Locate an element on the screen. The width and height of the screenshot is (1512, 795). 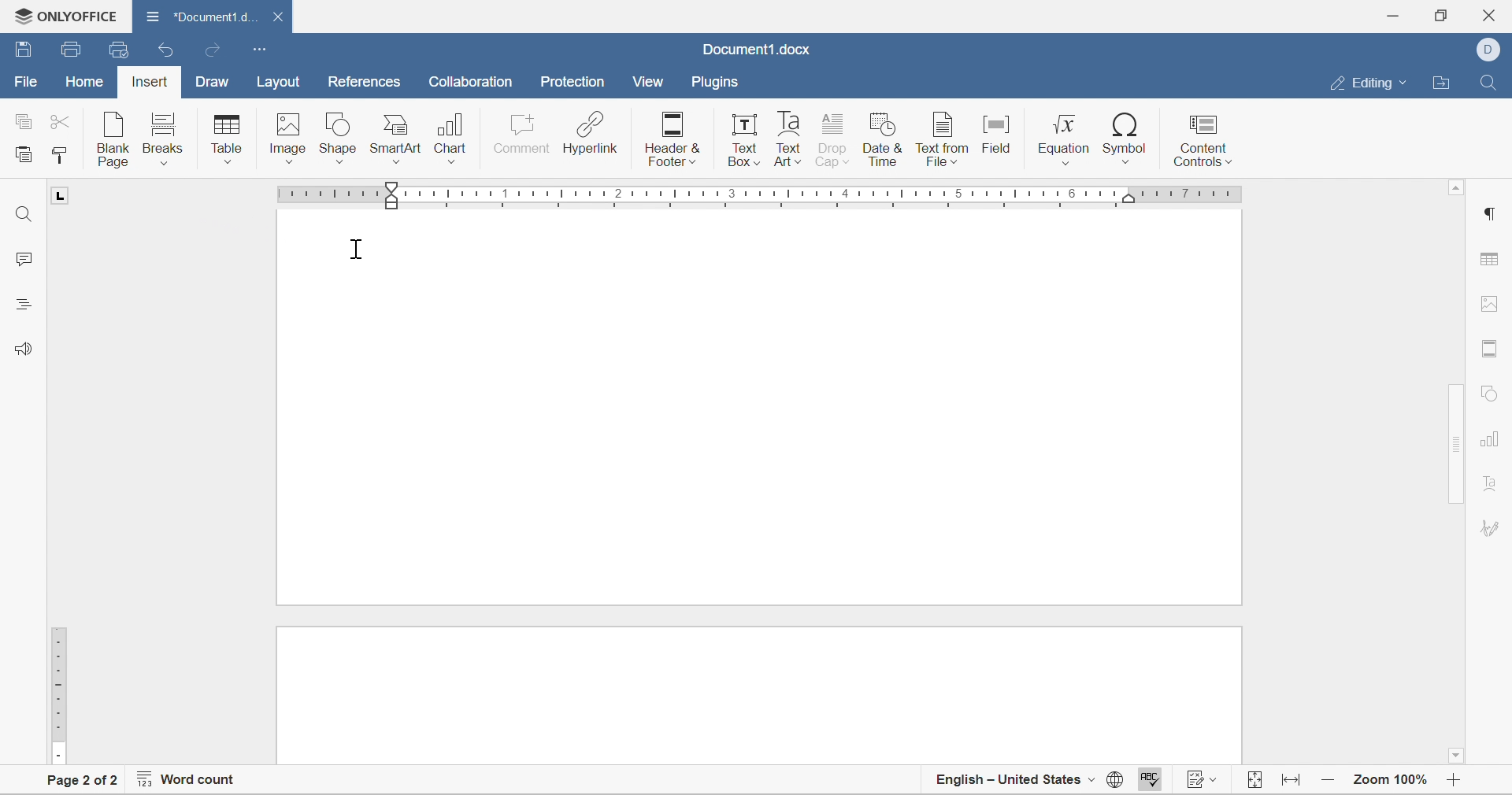
Word count is located at coordinates (187, 782).